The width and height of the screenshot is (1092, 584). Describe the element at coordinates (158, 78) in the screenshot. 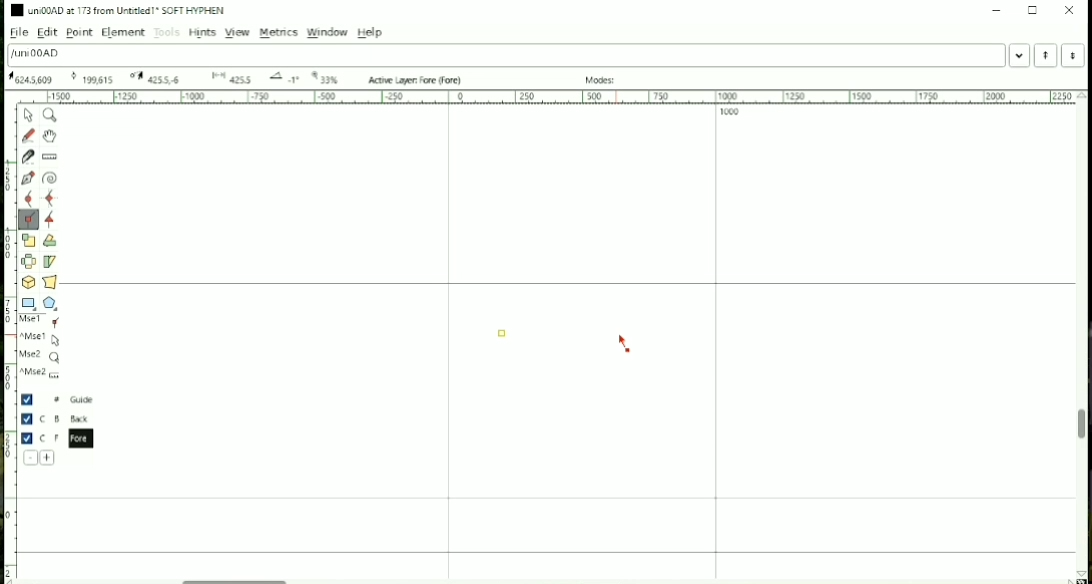

I see `173 Oxad U+00AD "uni00AD" SOFT HYPHEN` at that location.